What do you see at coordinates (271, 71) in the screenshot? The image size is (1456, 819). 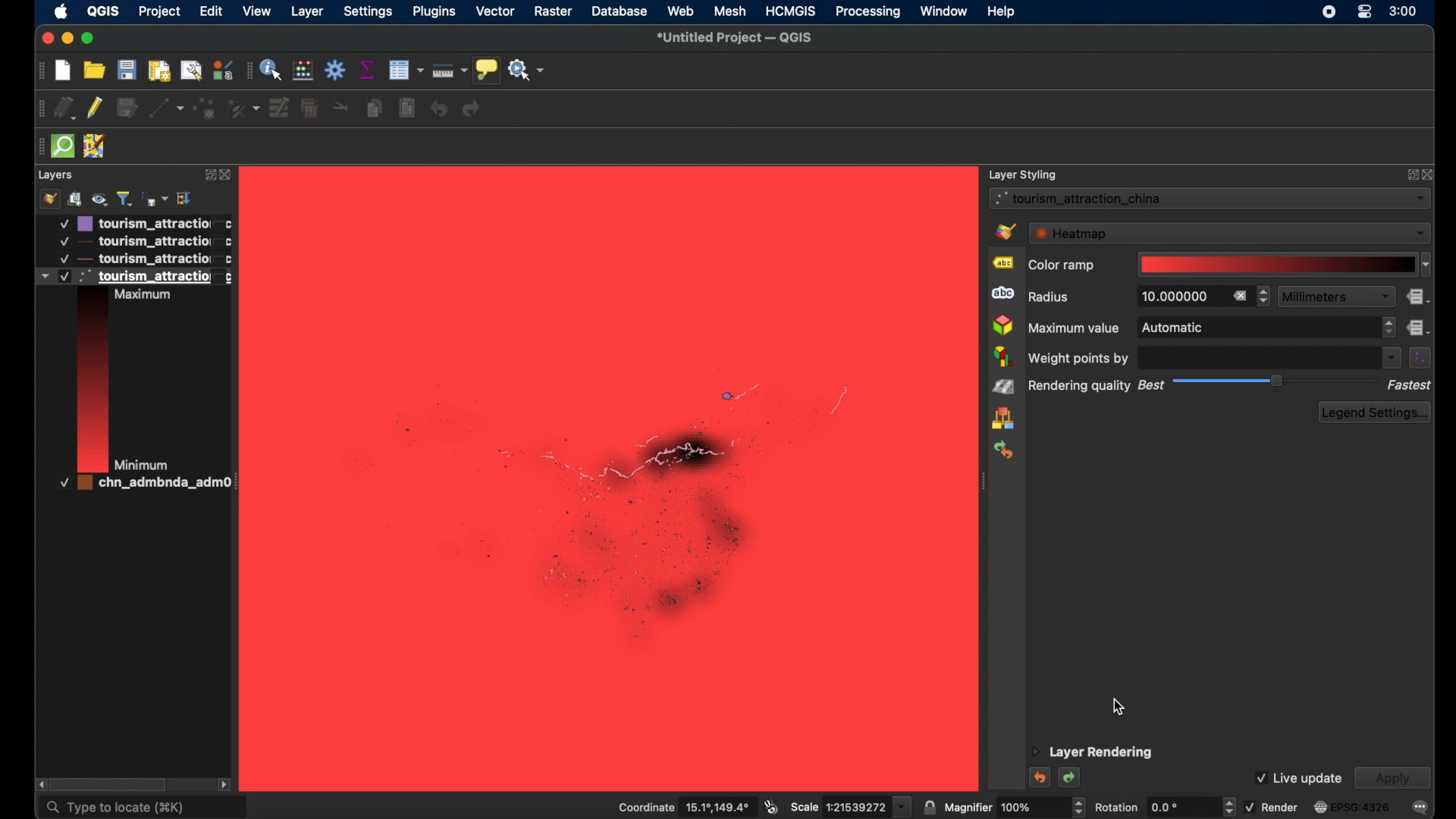 I see `identify features` at bounding box center [271, 71].